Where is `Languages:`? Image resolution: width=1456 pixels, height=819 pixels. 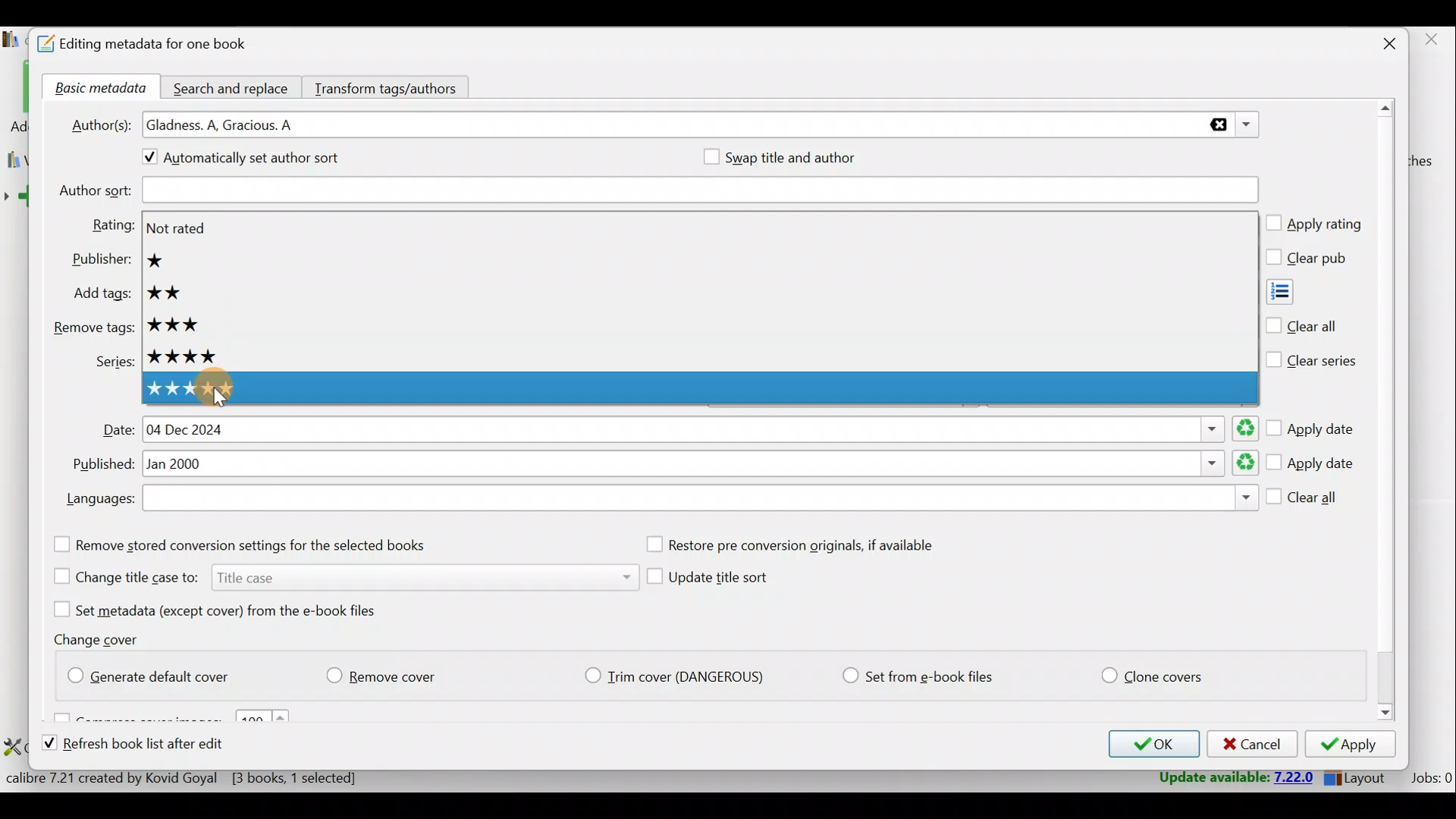
Languages: is located at coordinates (99, 500).